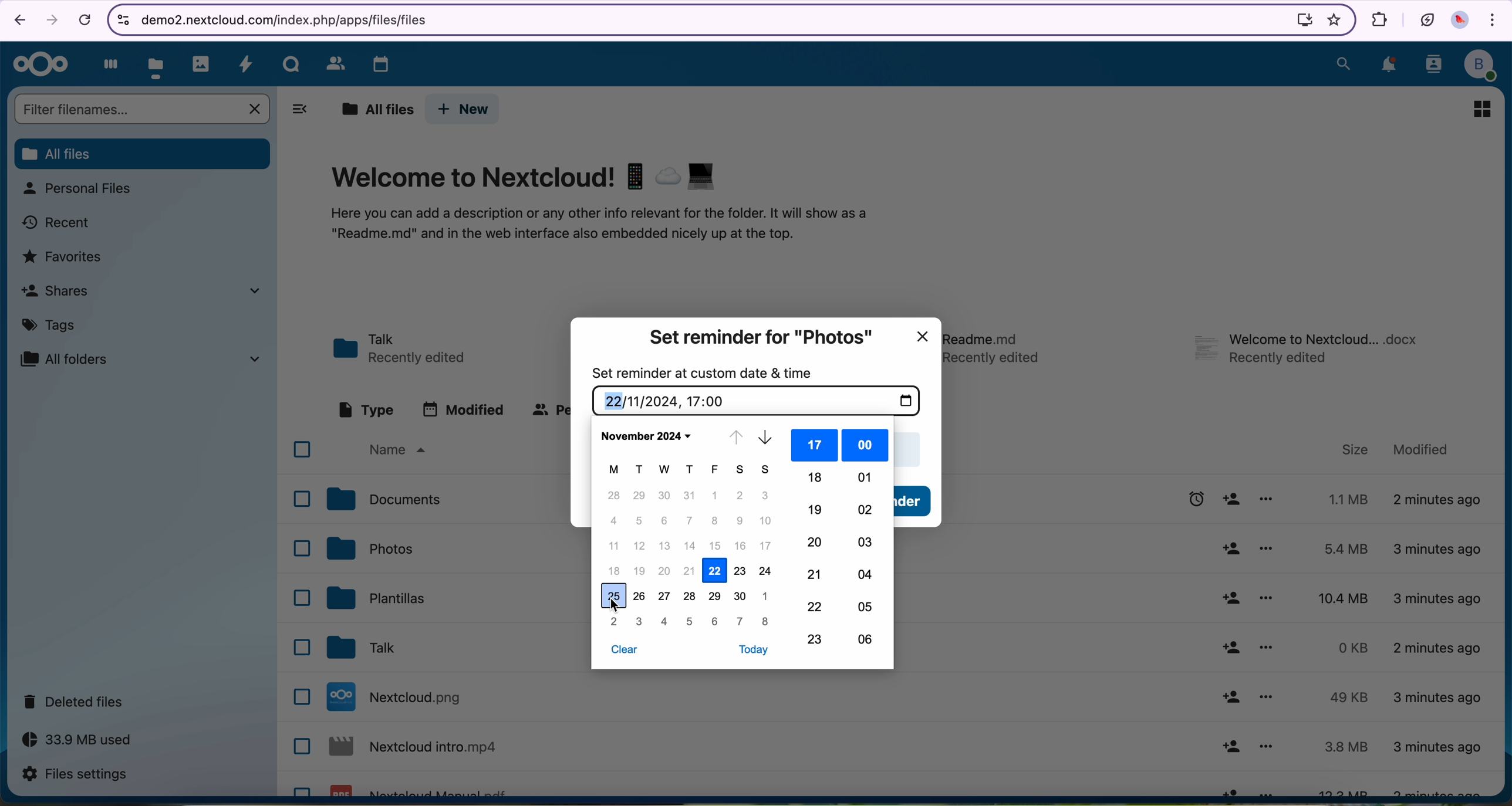  I want to click on 28, so click(615, 495).